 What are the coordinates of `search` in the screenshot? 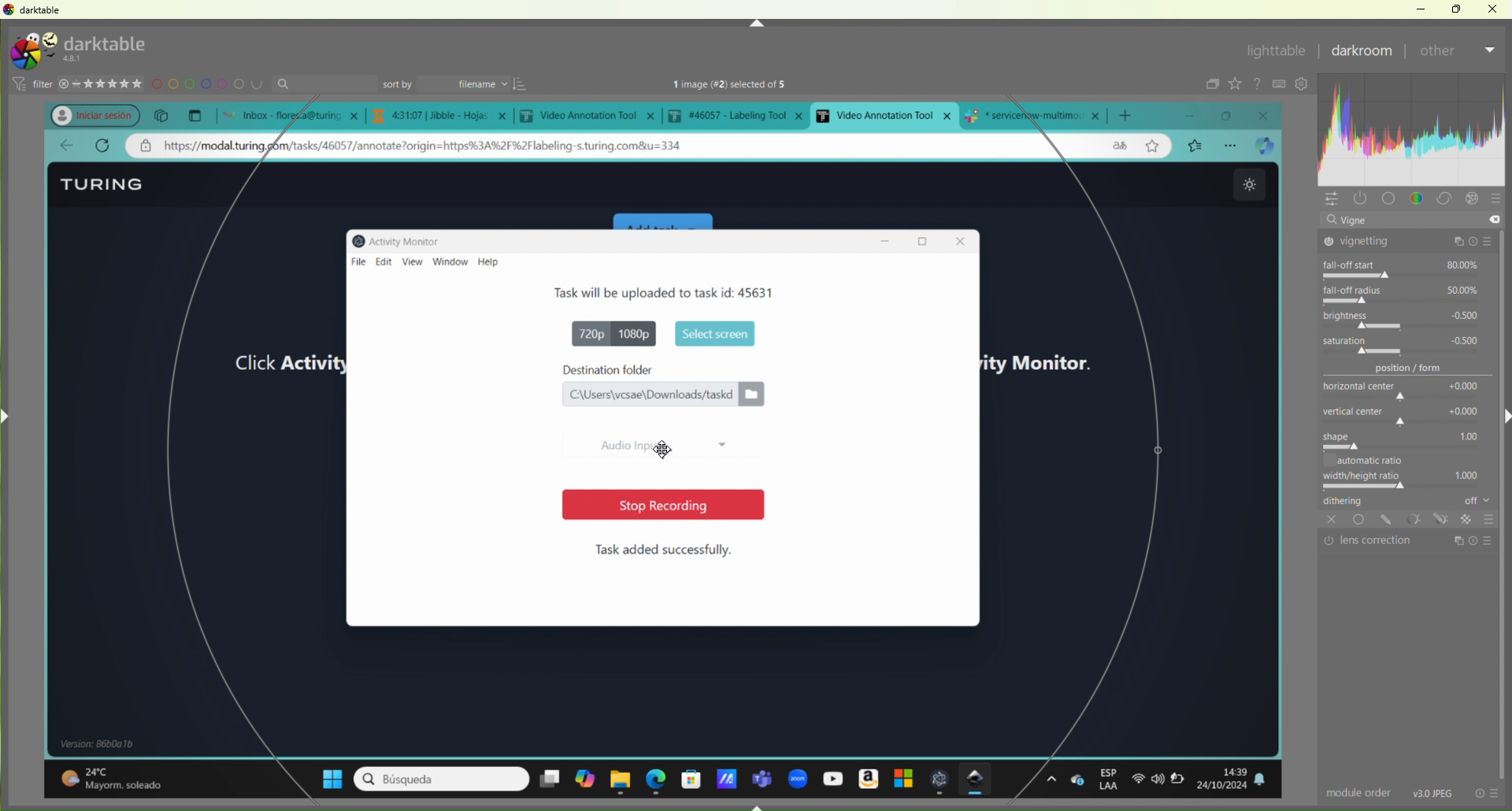 It's located at (440, 779).